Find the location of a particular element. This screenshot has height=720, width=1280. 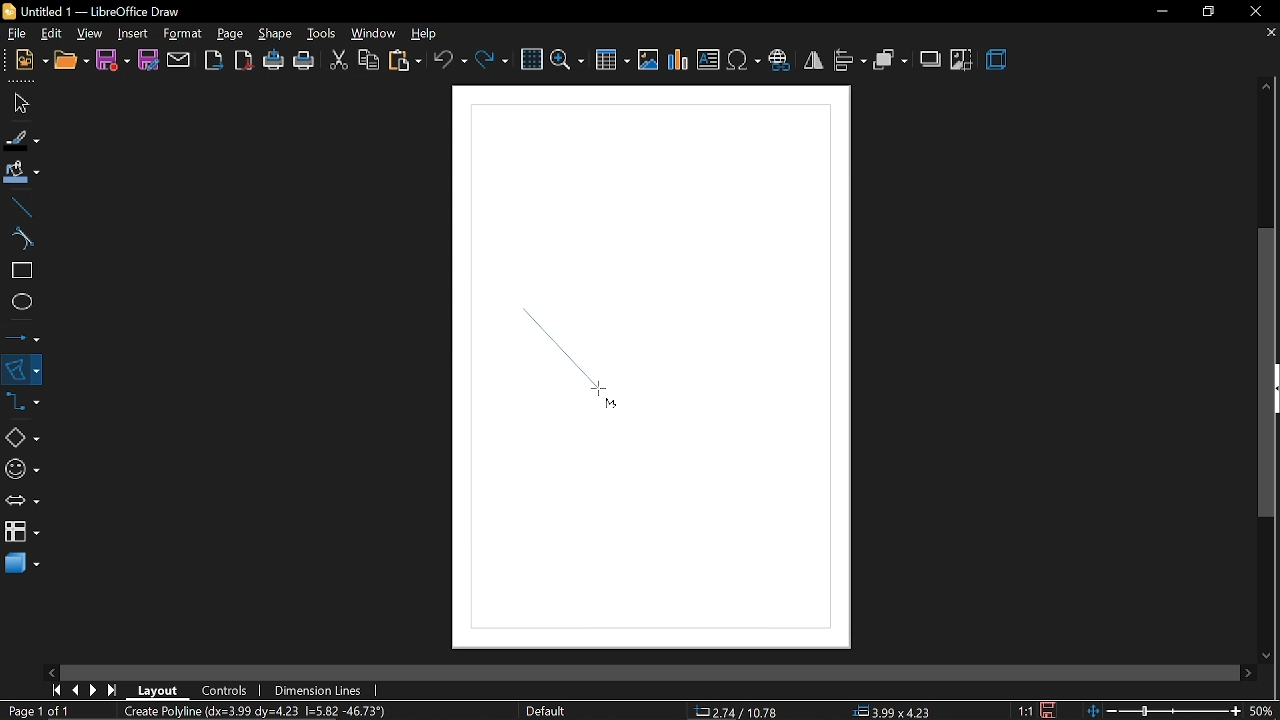

Create Polviine (dx=3.99 dv=4.23 |=582 -46.73%) is located at coordinates (275, 710).